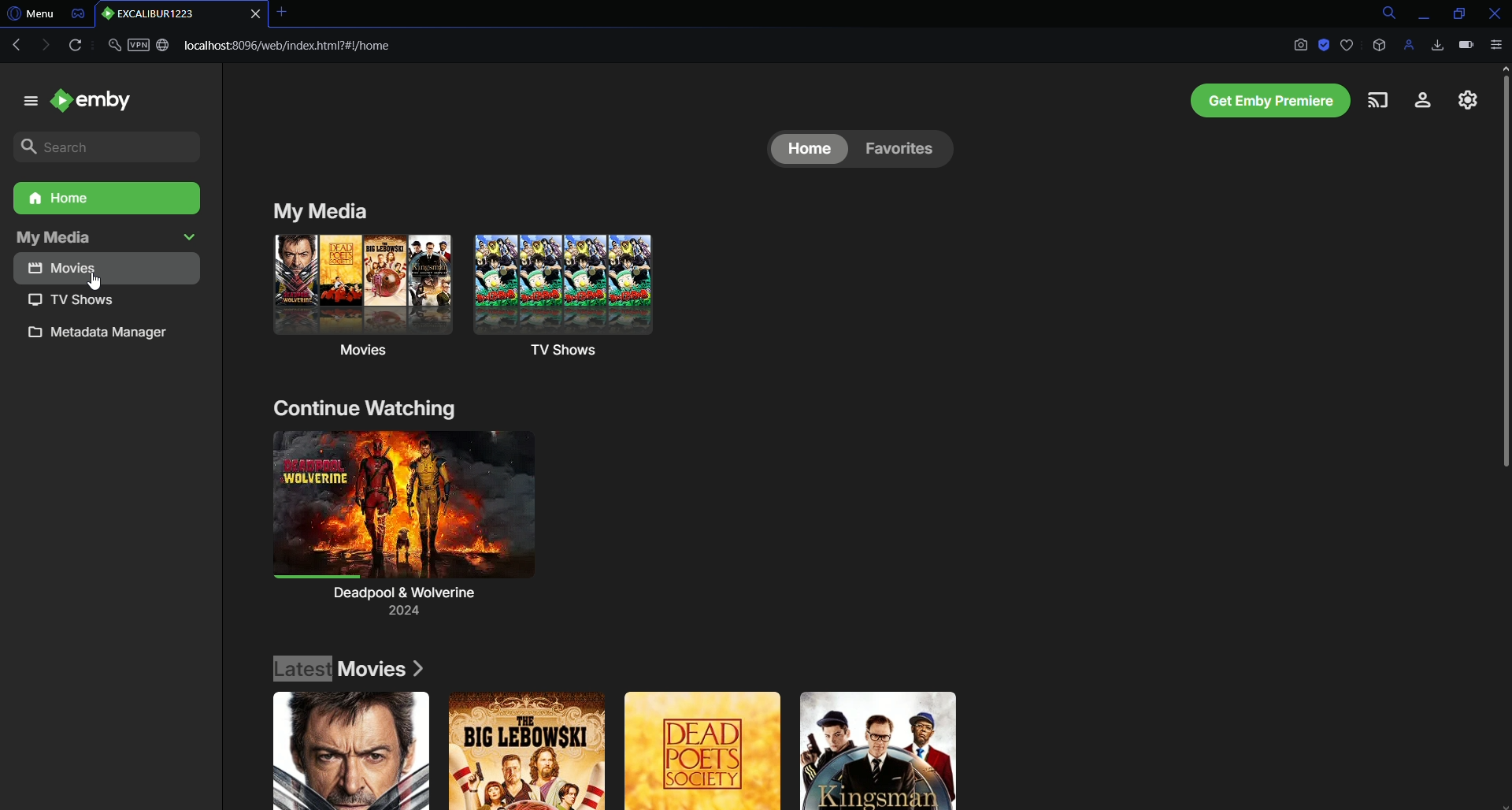 The width and height of the screenshot is (1512, 810). I want to click on Tab 1, so click(182, 14).